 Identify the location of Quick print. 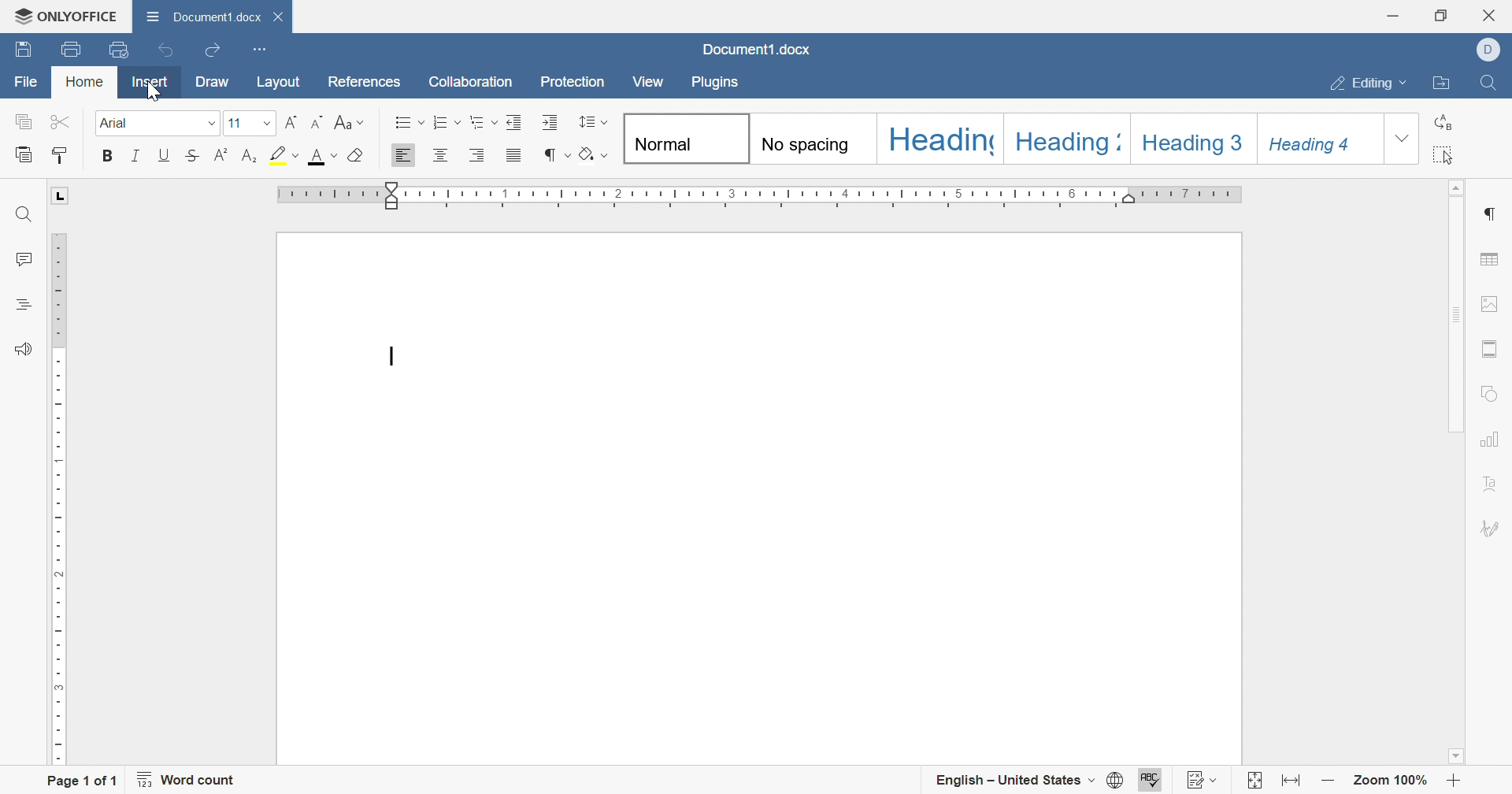
(120, 51).